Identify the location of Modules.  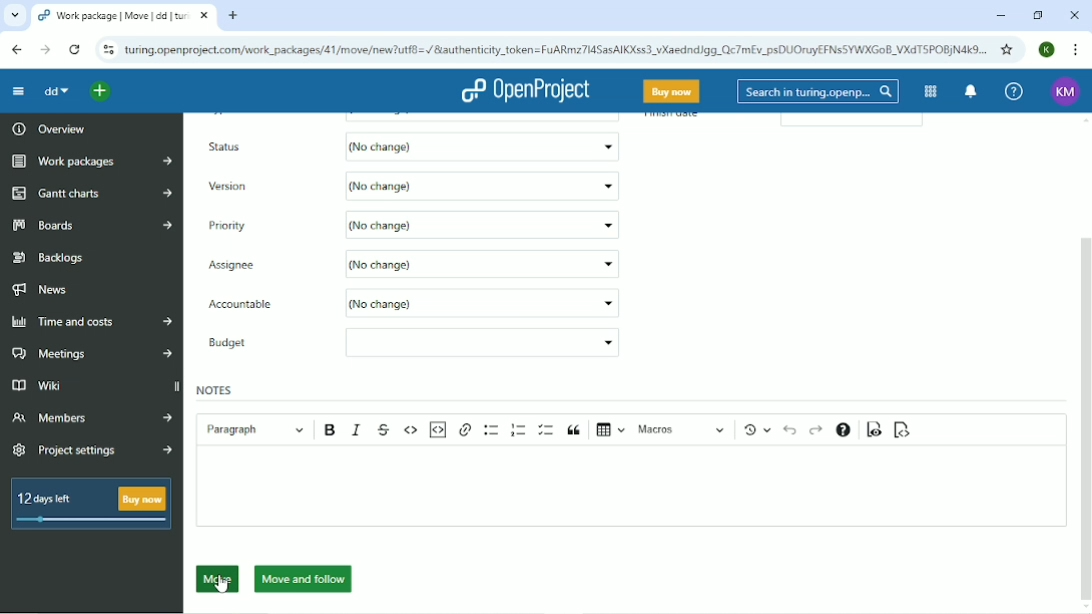
(928, 92).